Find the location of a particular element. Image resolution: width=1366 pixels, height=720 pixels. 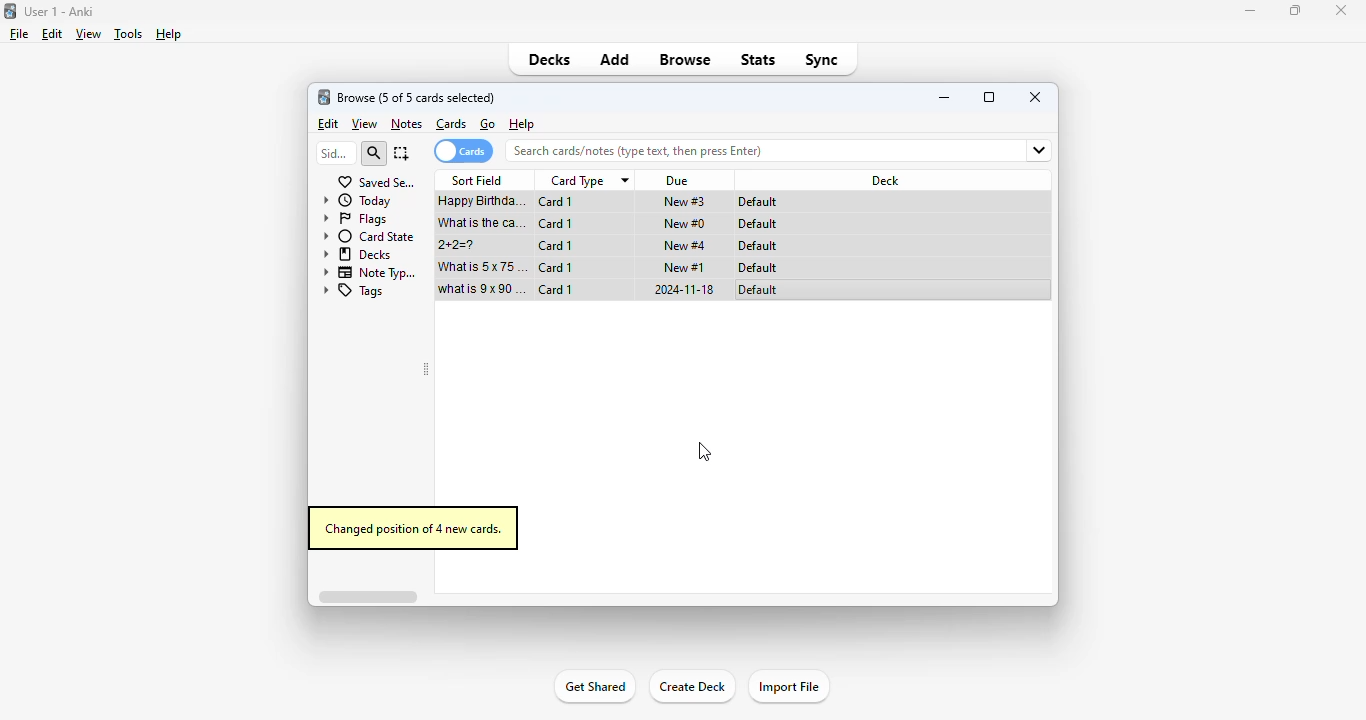

changed position of 4 new cards is located at coordinates (412, 529).